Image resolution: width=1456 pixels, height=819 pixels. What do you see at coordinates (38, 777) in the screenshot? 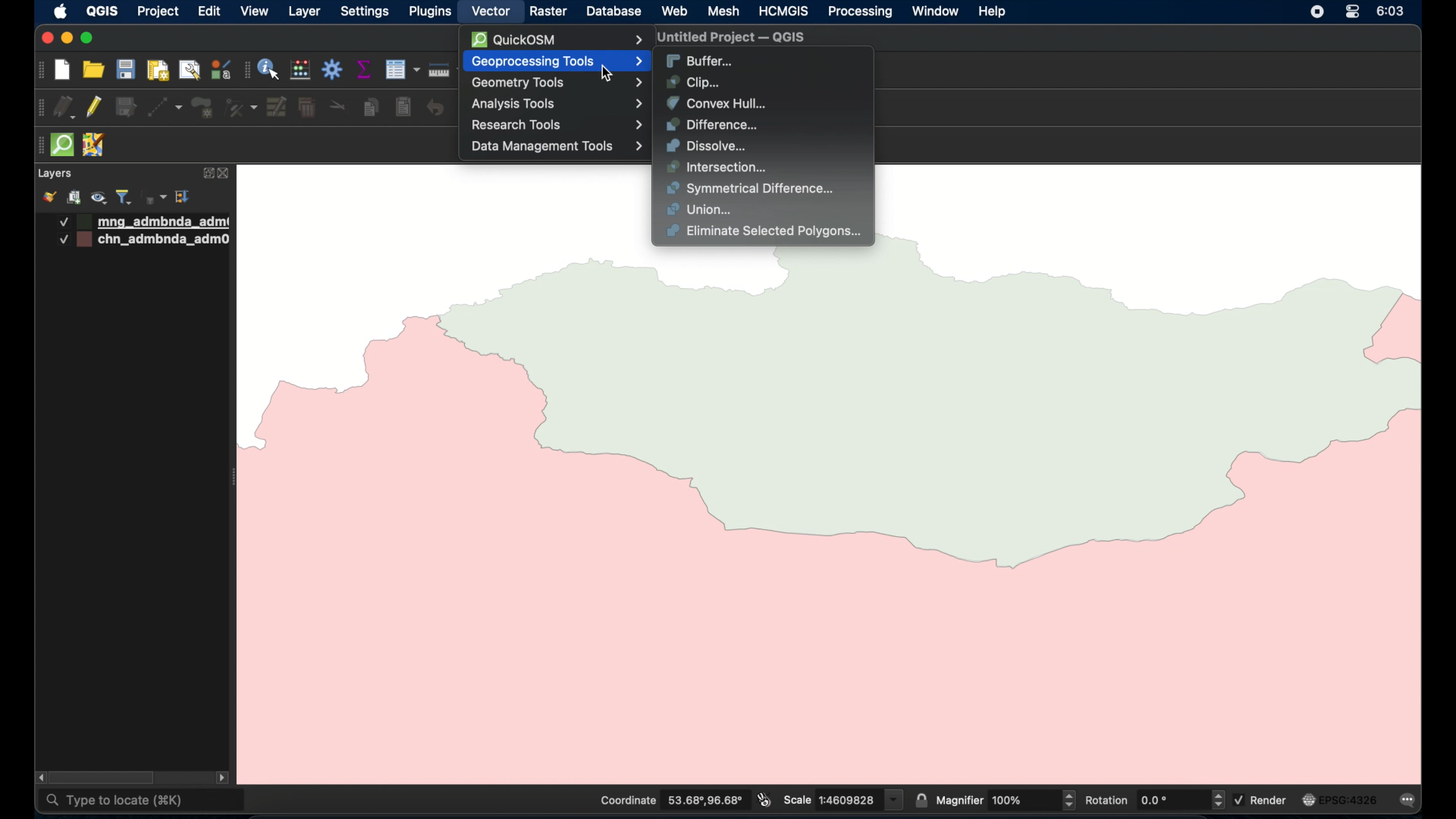
I see `scroll left arrow` at bounding box center [38, 777].